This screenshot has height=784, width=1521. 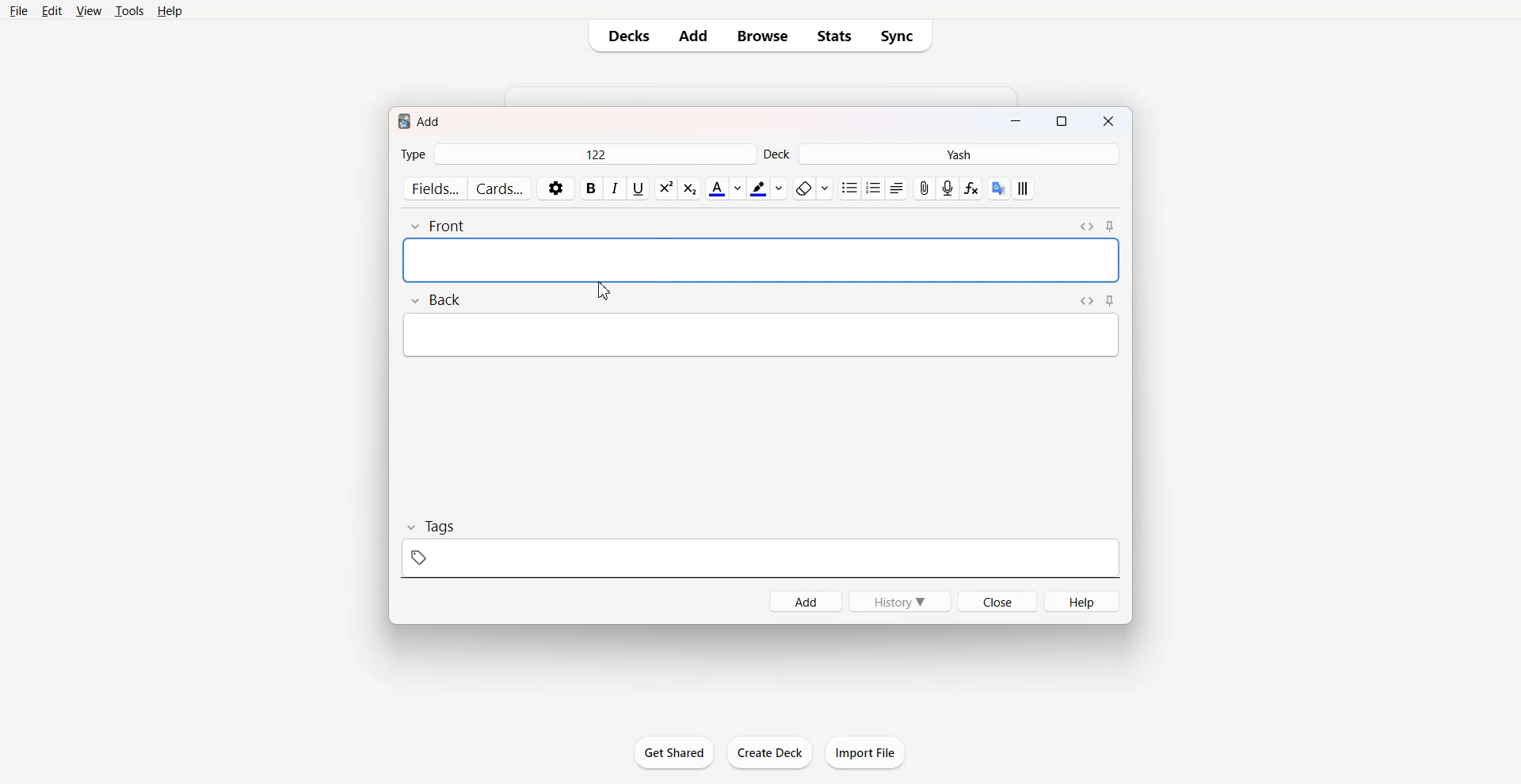 What do you see at coordinates (434, 188) in the screenshot?
I see `Fields` at bounding box center [434, 188].